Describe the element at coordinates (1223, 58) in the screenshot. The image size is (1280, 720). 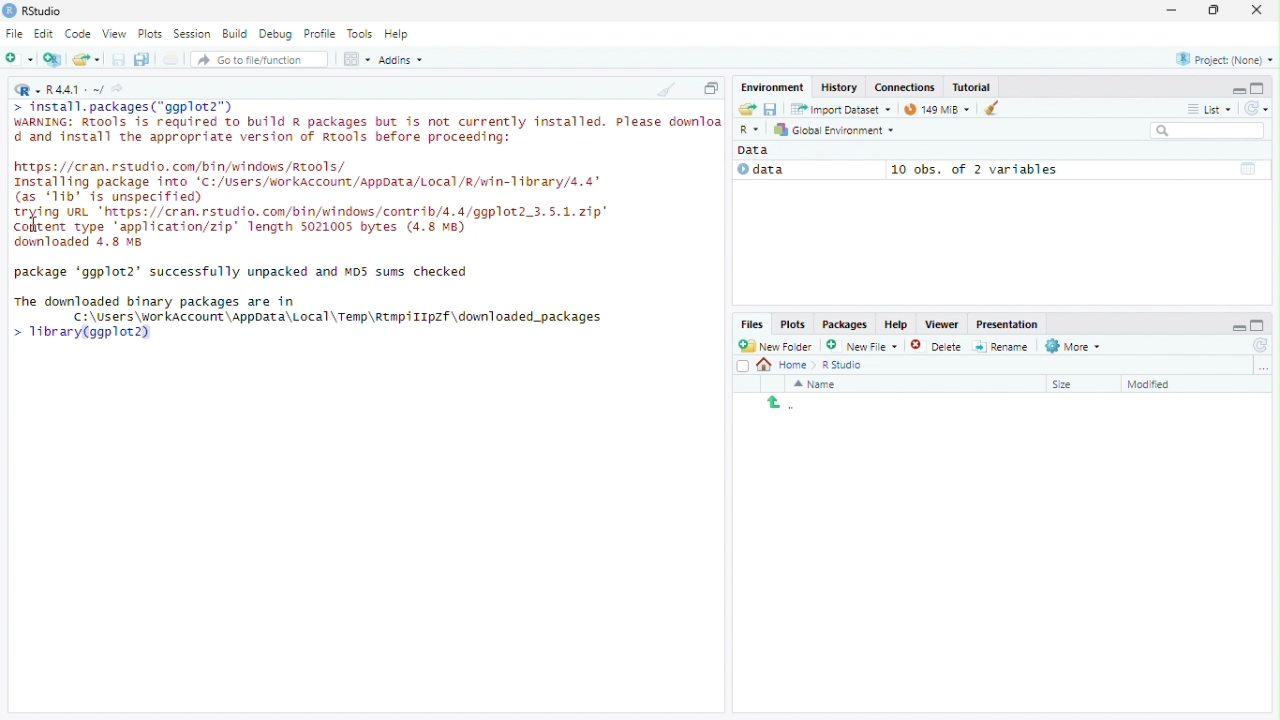
I see `Currently selected project - None` at that location.